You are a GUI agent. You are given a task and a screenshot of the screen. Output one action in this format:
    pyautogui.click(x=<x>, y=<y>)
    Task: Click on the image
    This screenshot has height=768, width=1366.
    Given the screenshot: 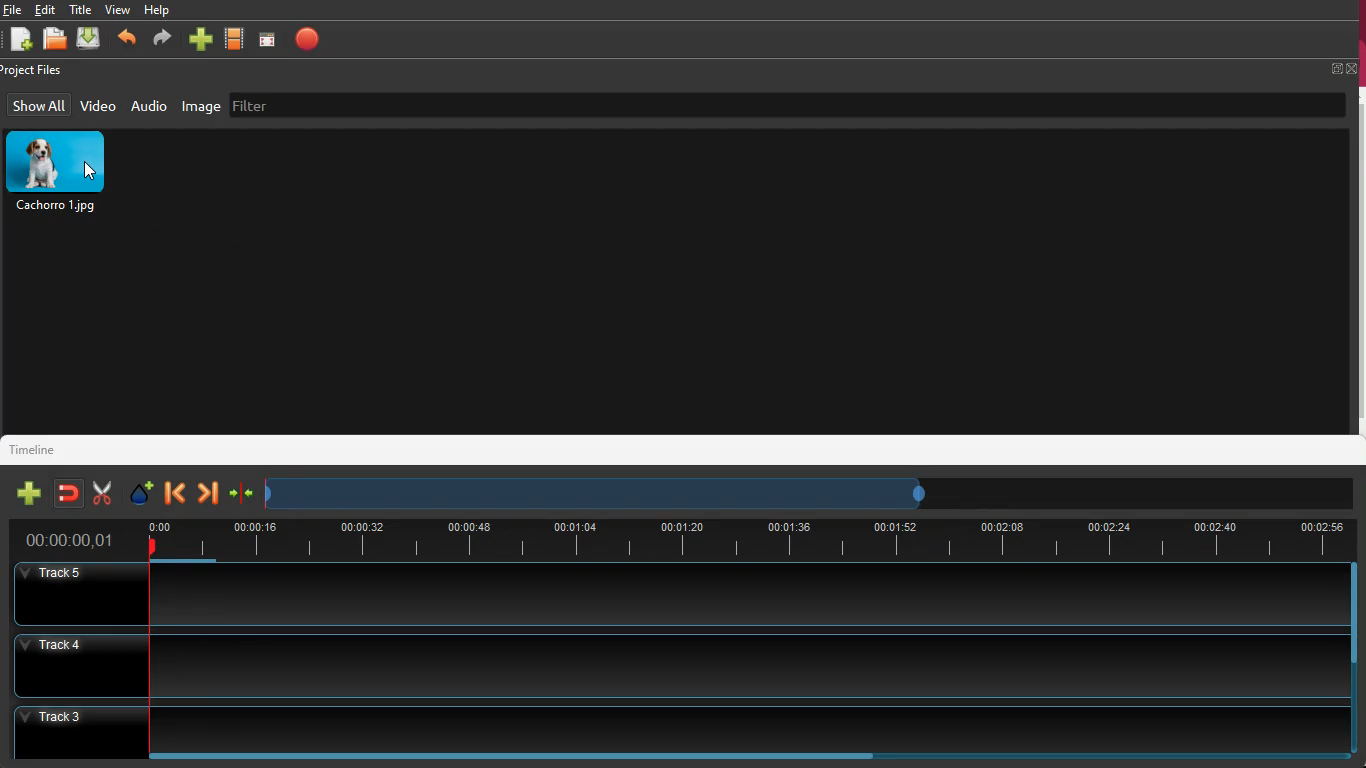 What is the action you would take?
    pyautogui.click(x=64, y=172)
    